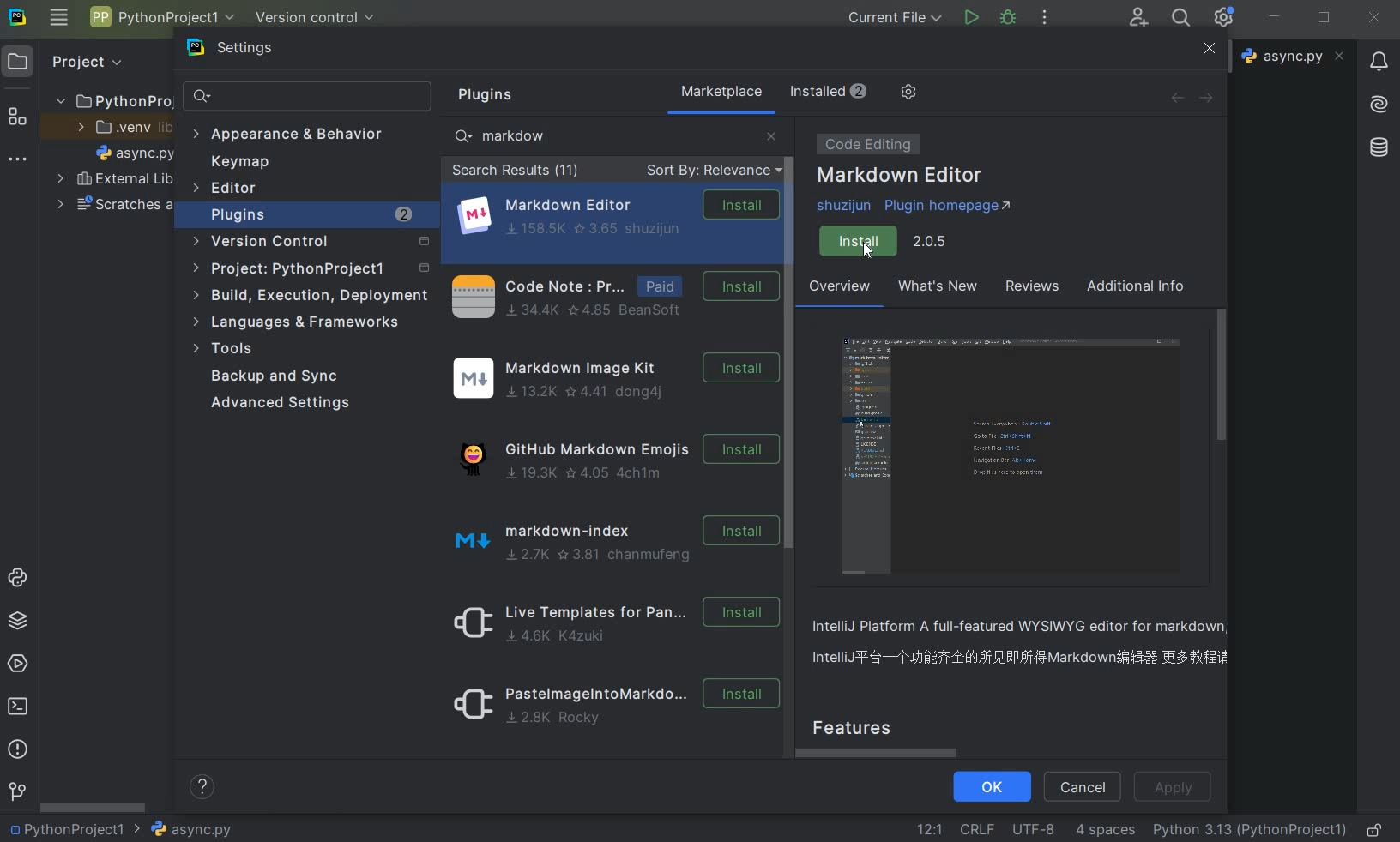 The height and width of the screenshot is (842, 1400). Describe the element at coordinates (17, 749) in the screenshot. I see `problems` at that location.